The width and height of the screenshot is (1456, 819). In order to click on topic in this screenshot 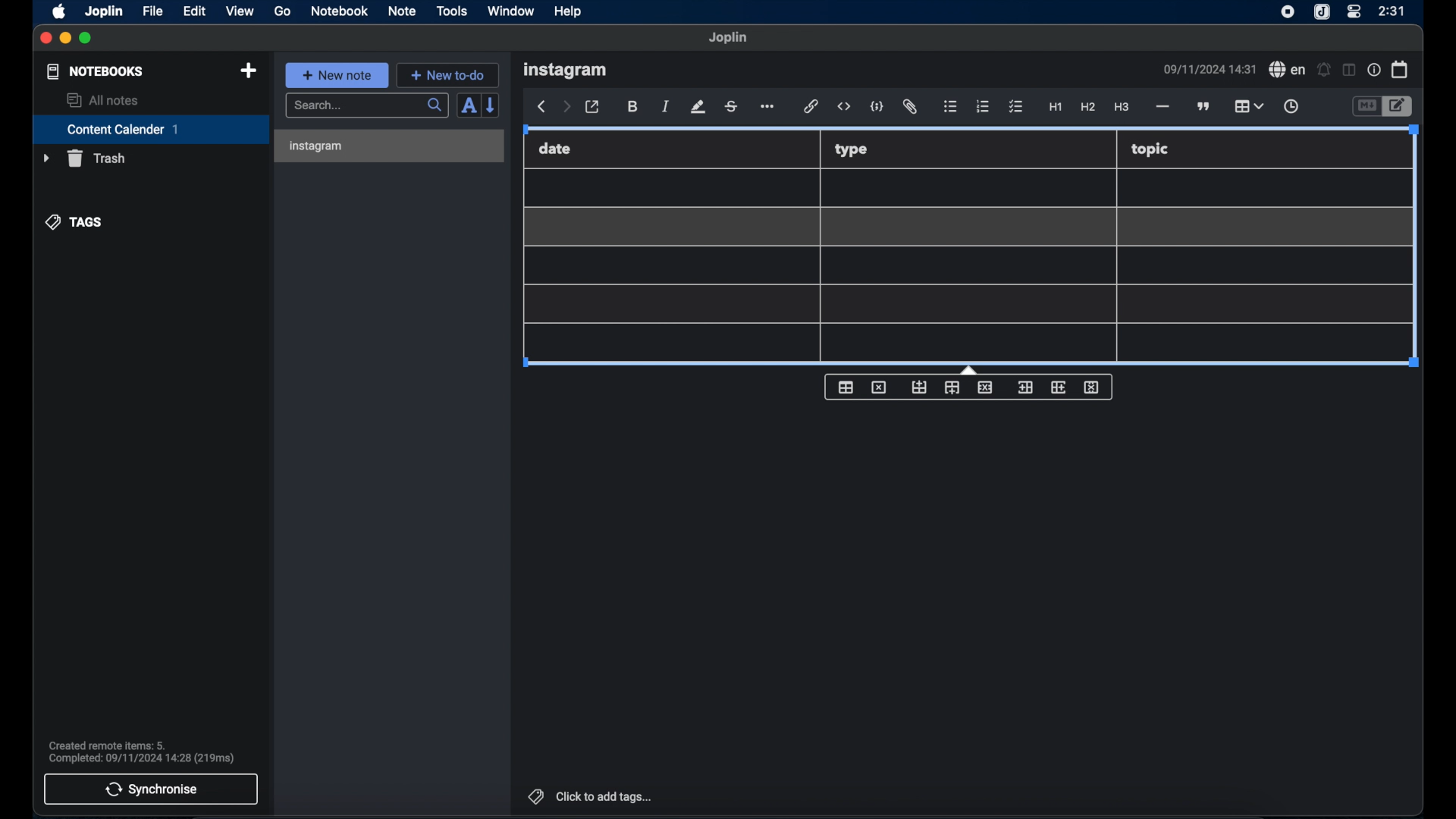, I will do `click(1150, 151)`.